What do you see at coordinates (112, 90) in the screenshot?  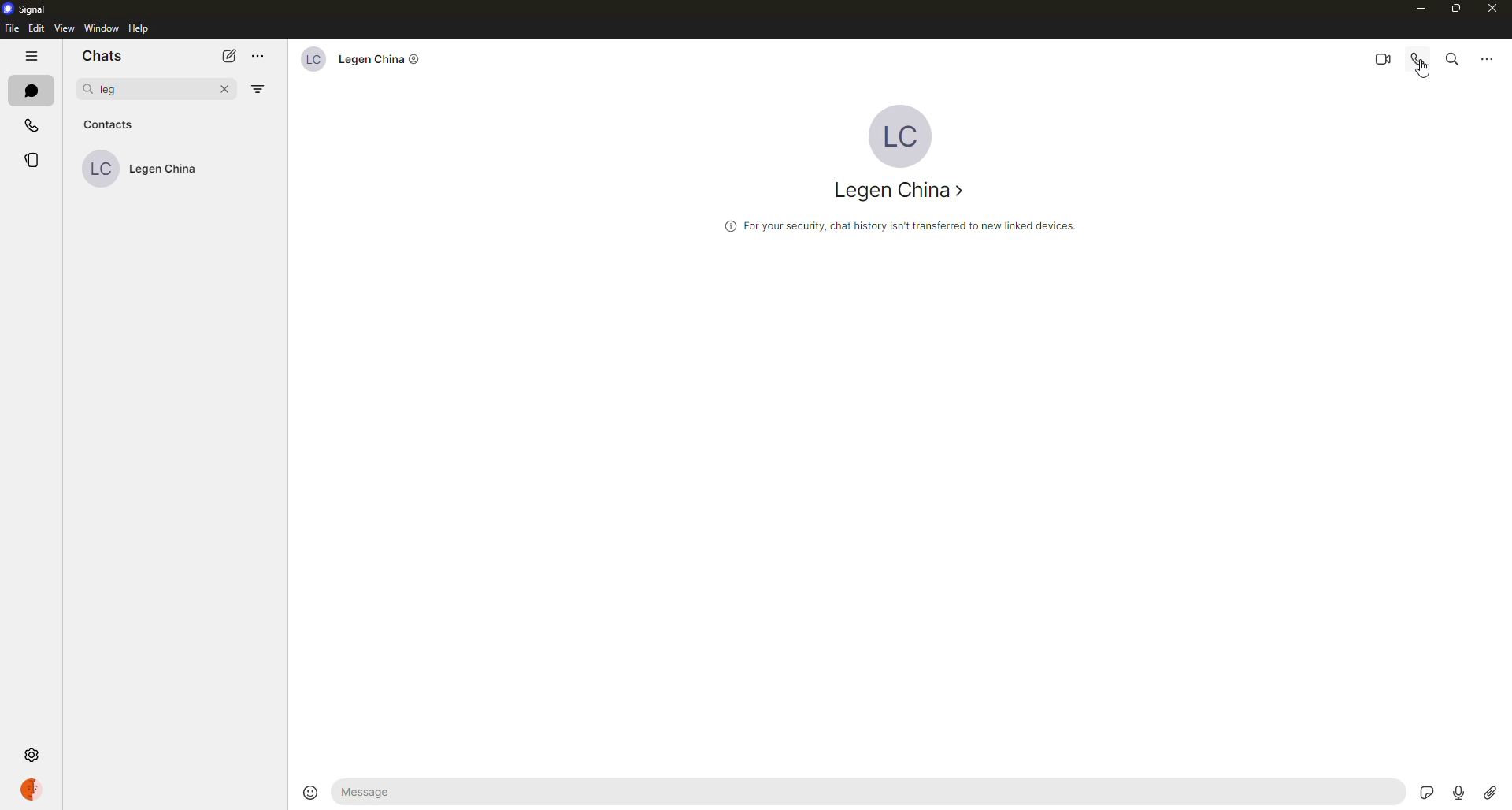 I see `leg` at bounding box center [112, 90].